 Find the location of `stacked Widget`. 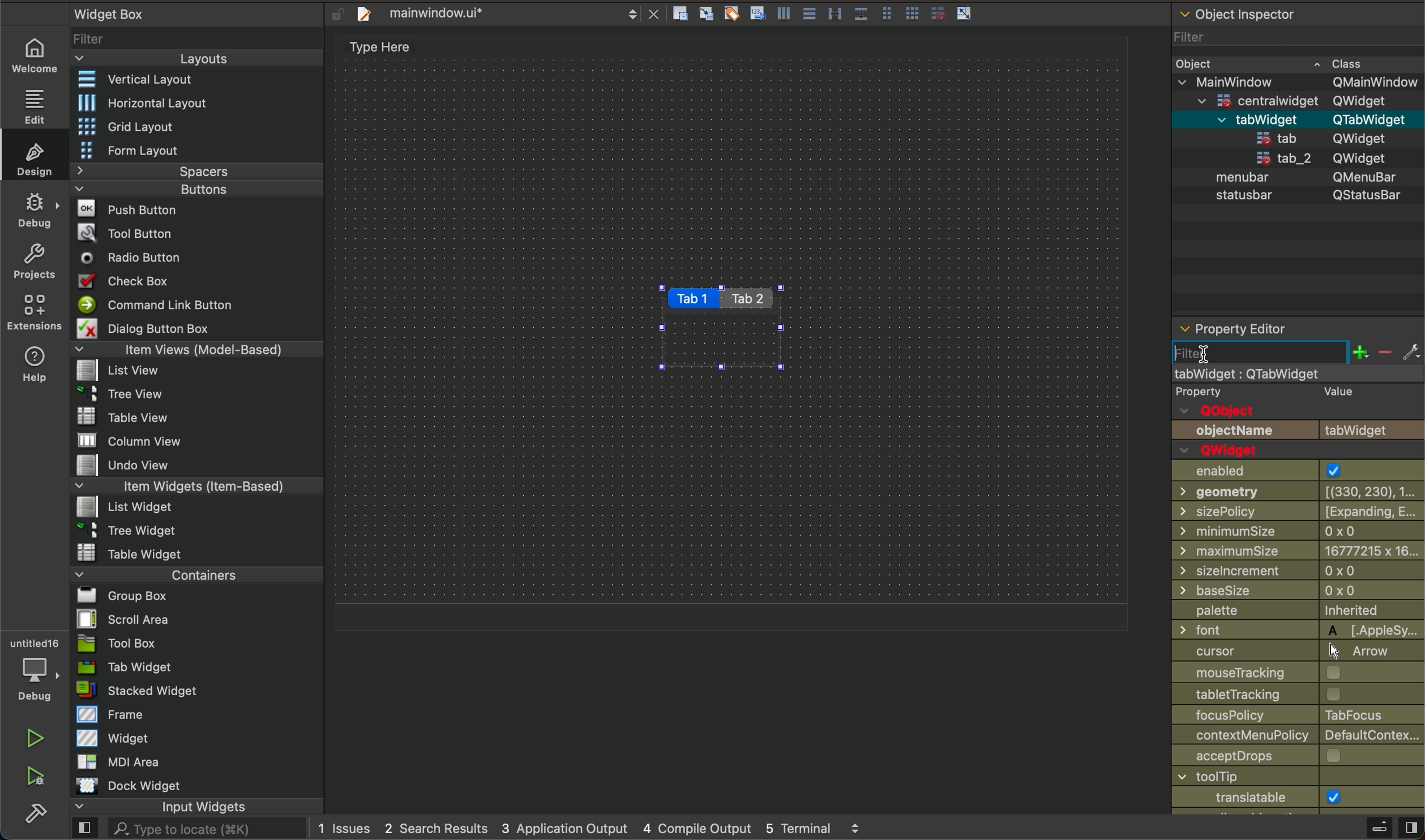

stacked Widget is located at coordinates (140, 690).